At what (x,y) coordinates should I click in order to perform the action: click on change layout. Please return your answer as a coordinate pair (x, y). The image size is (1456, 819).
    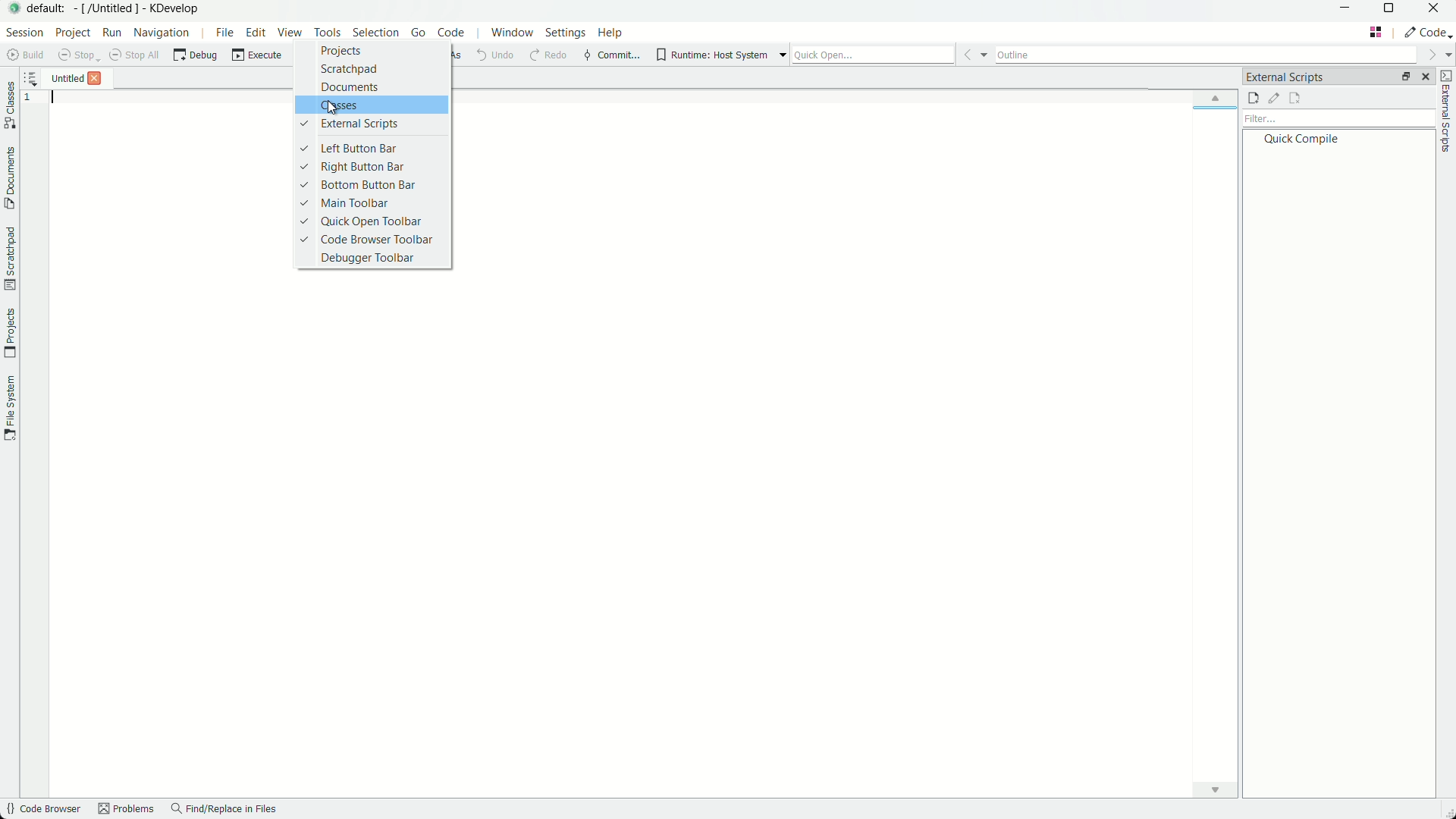
    Looking at the image, I should click on (1375, 33).